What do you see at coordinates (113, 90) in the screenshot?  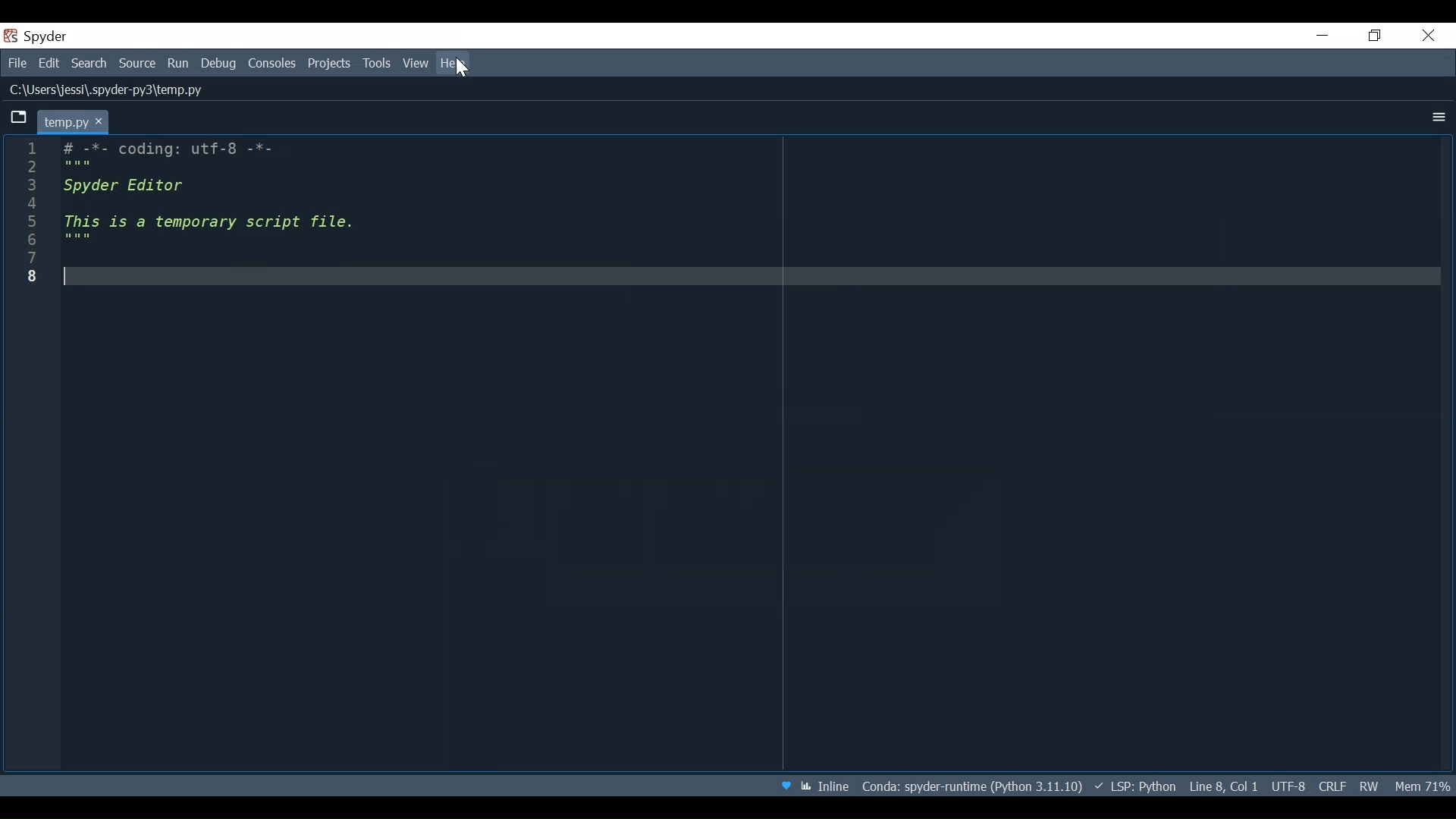 I see `File Path` at bounding box center [113, 90].